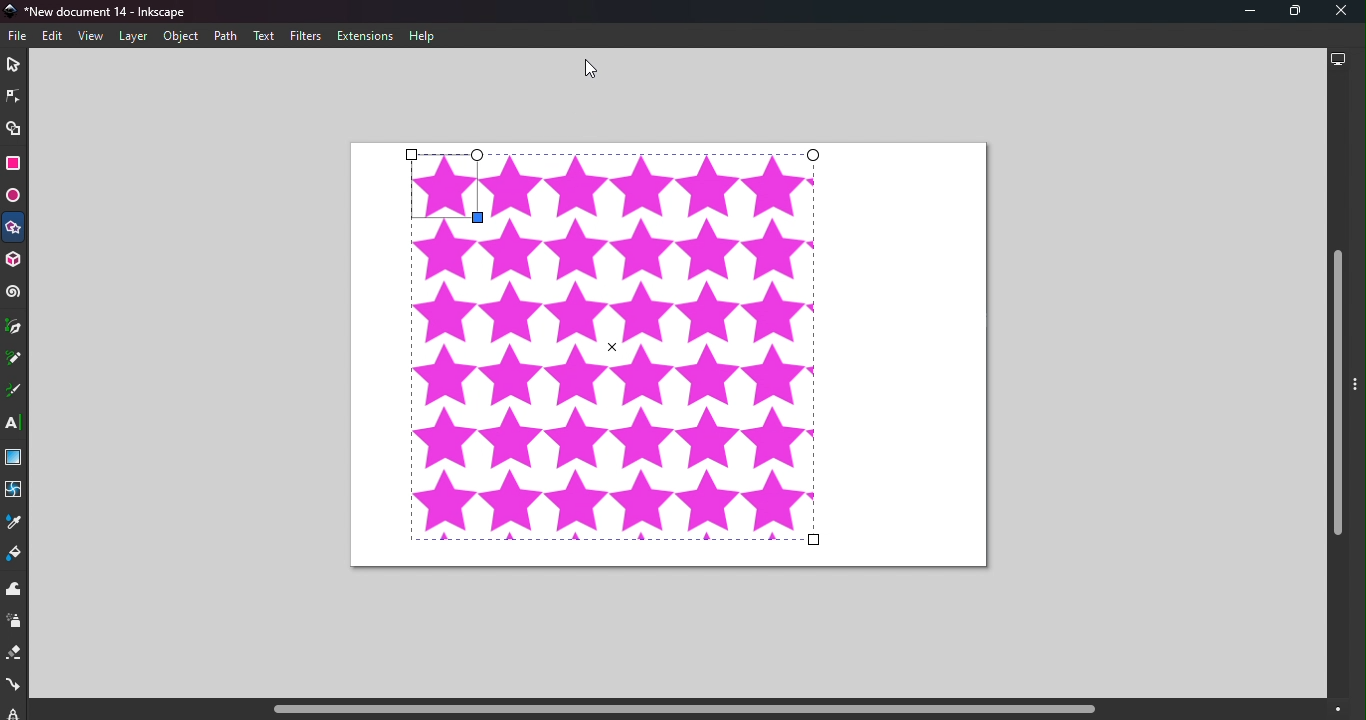  Describe the element at coordinates (16, 260) in the screenshot. I see `3D box tool` at that location.